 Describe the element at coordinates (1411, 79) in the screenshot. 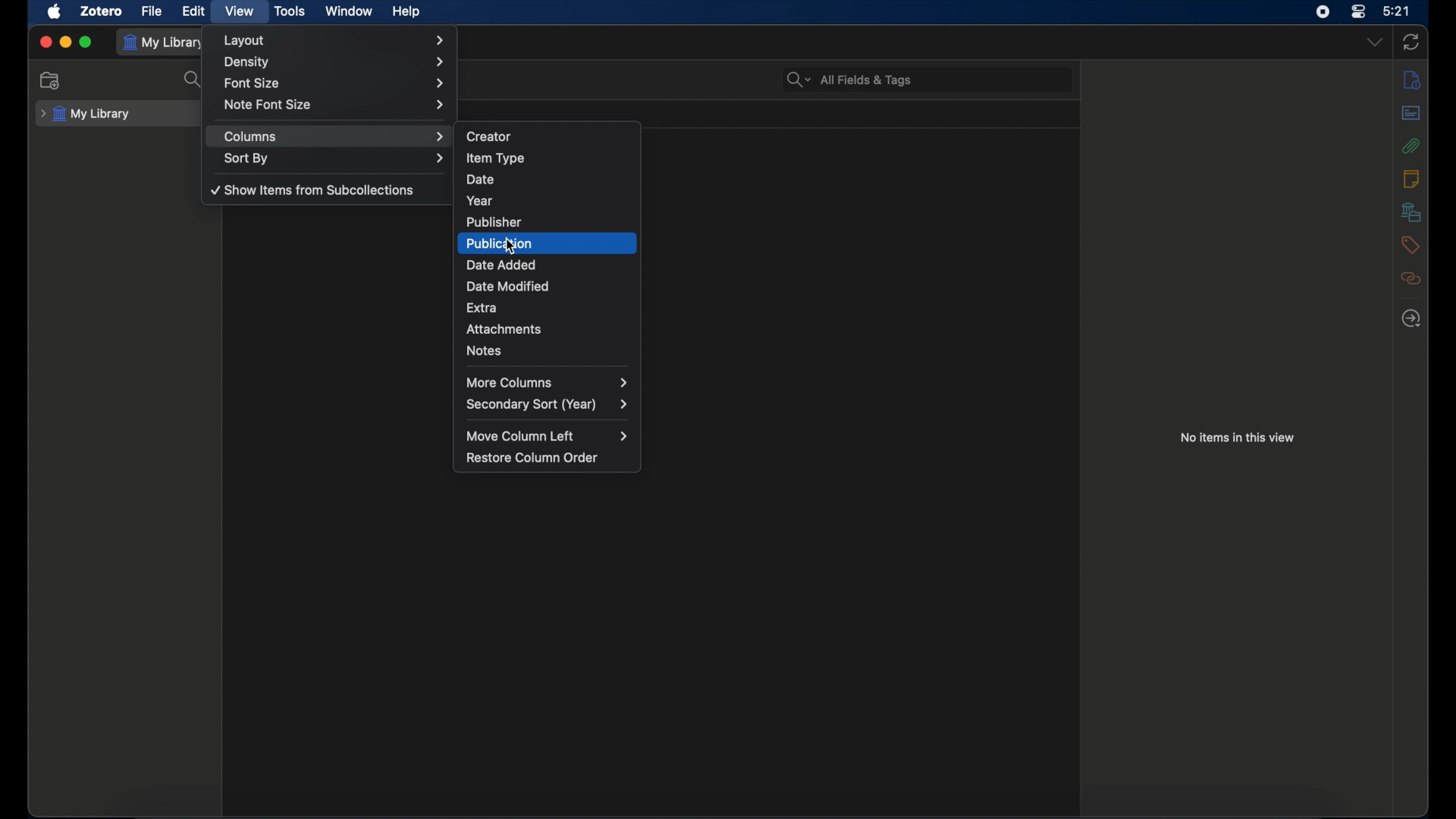

I see `info` at that location.